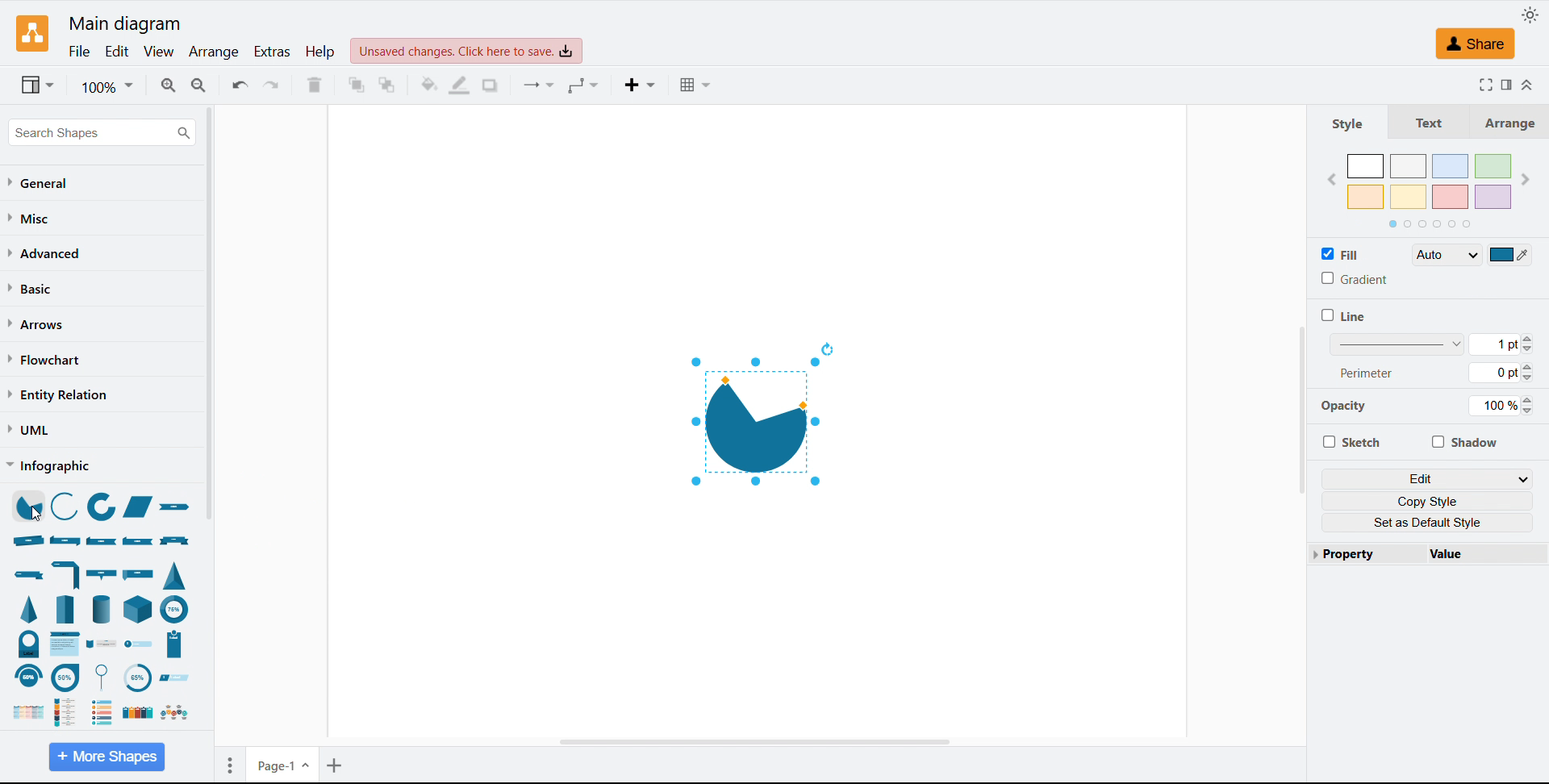 This screenshot has height=784, width=1549. Describe the element at coordinates (828, 350) in the screenshot. I see `Rotate shape ` at that location.